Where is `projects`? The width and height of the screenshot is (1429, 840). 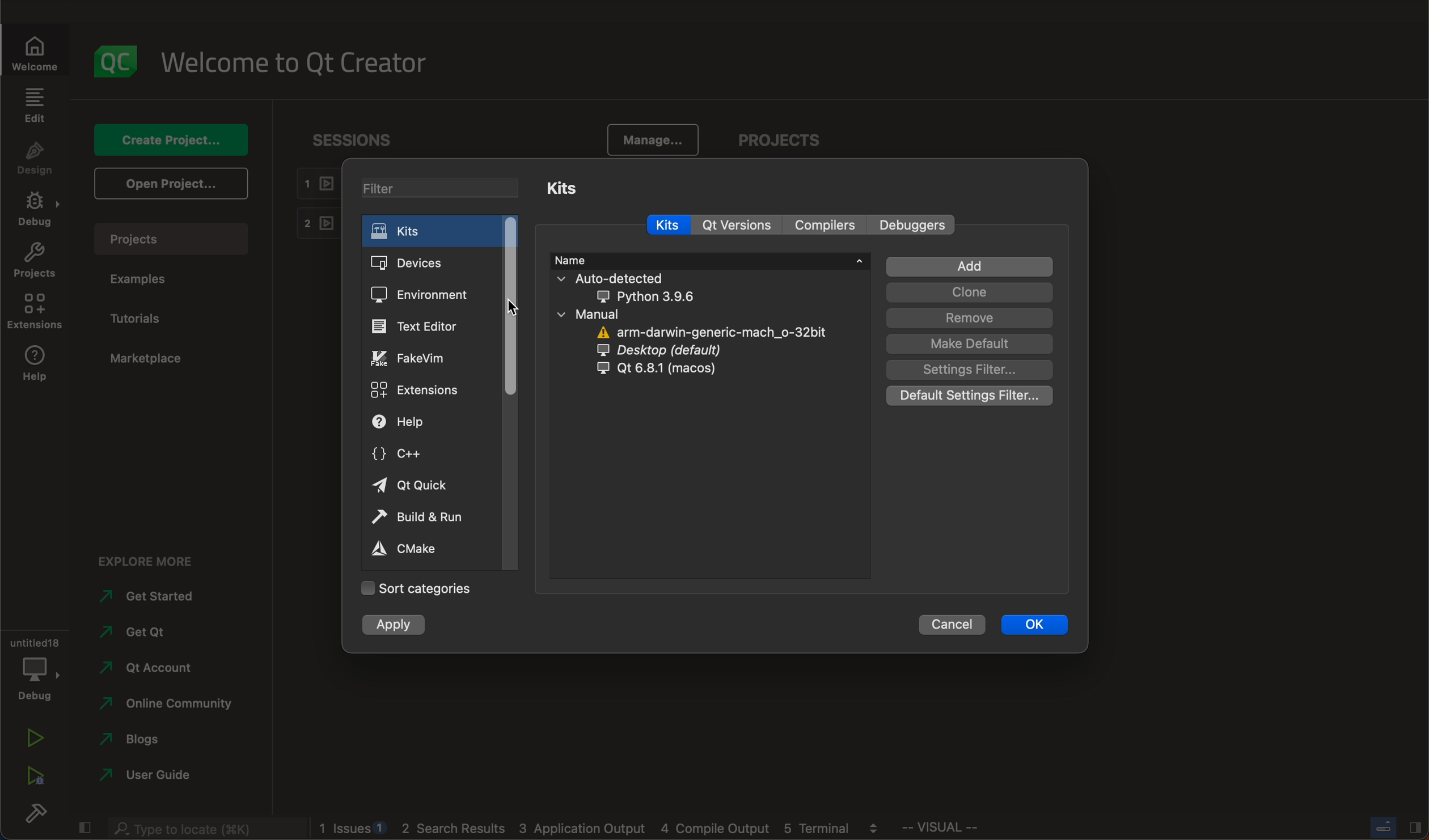
projects is located at coordinates (778, 136).